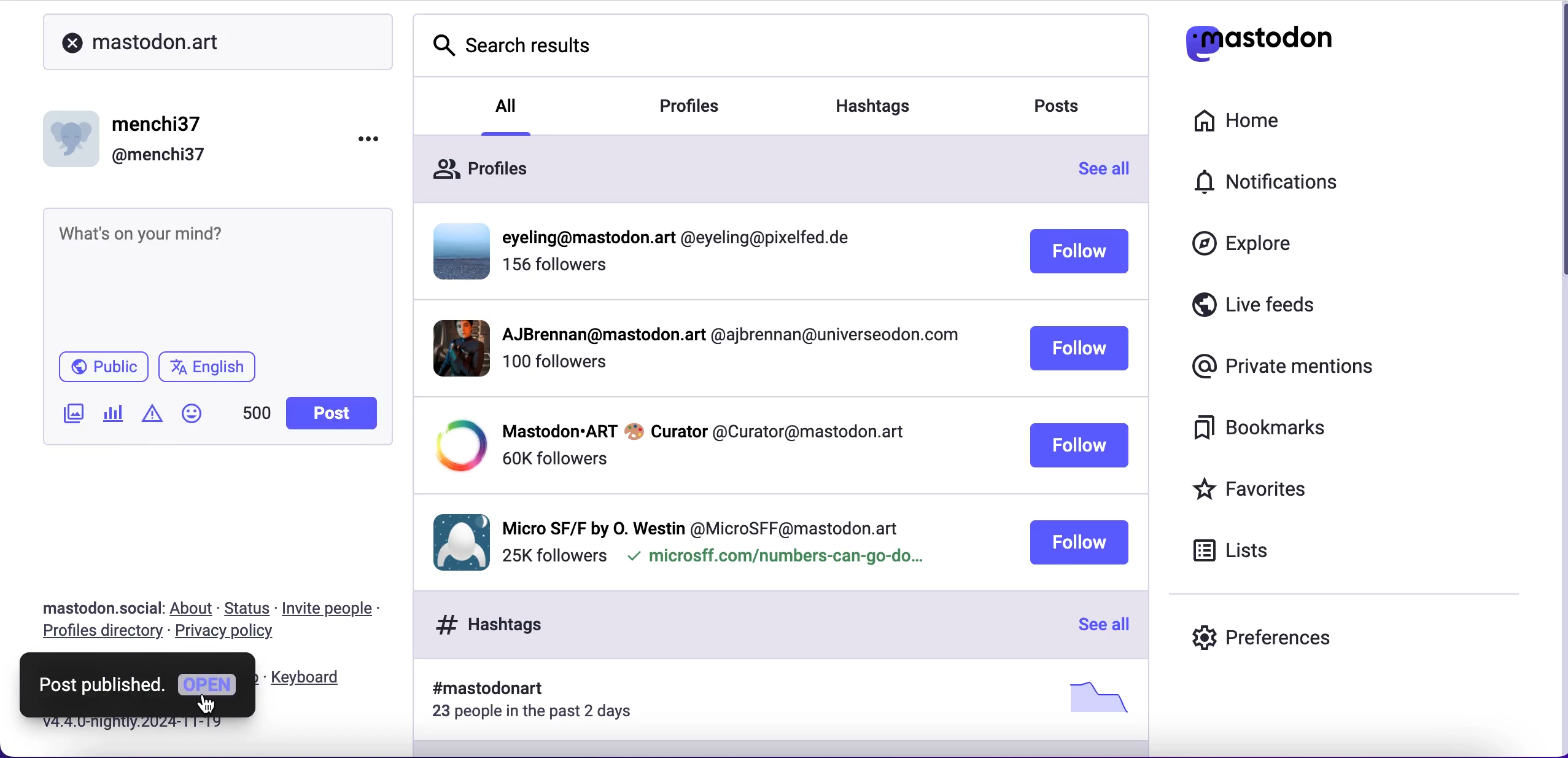  Describe the element at coordinates (1278, 367) in the screenshot. I see `private mentions` at that location.